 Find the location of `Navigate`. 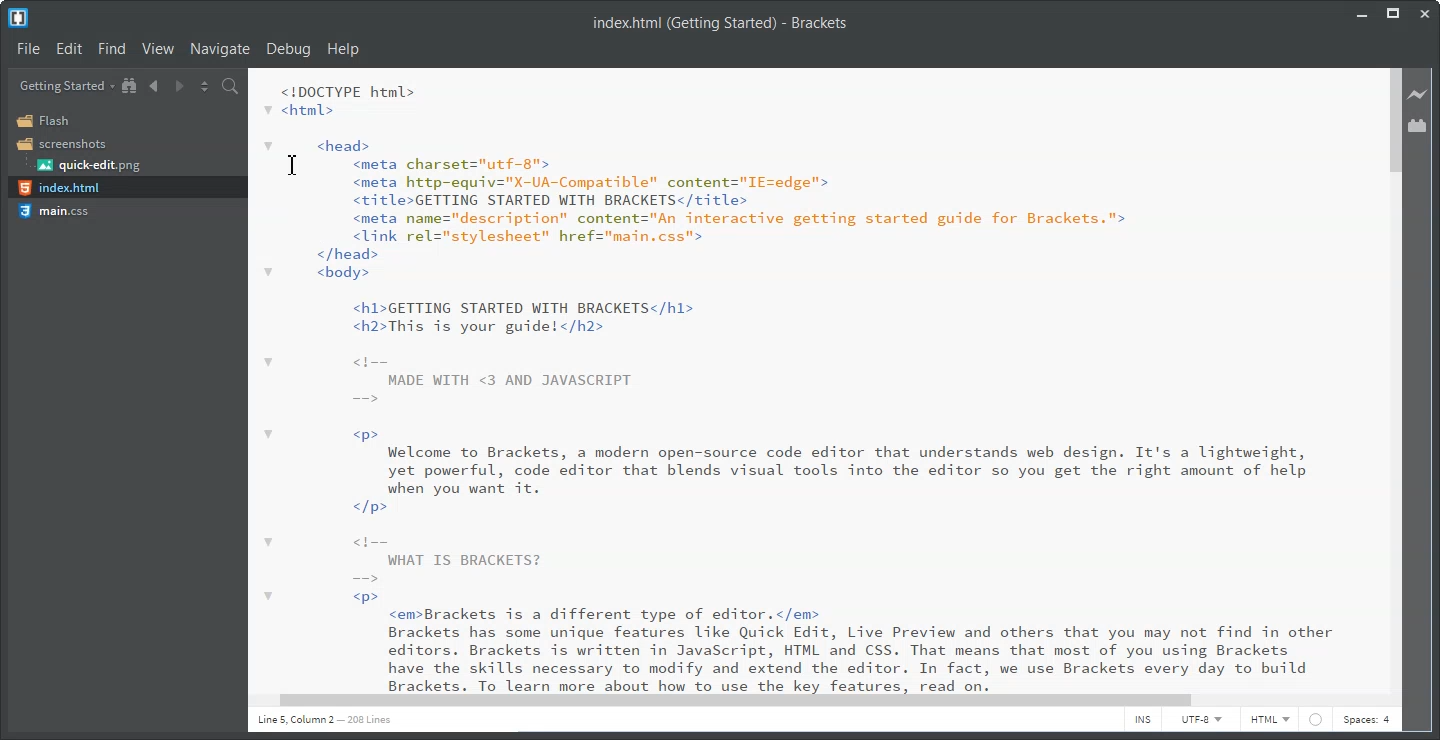

Navigate is located at coordinates (219, 49).